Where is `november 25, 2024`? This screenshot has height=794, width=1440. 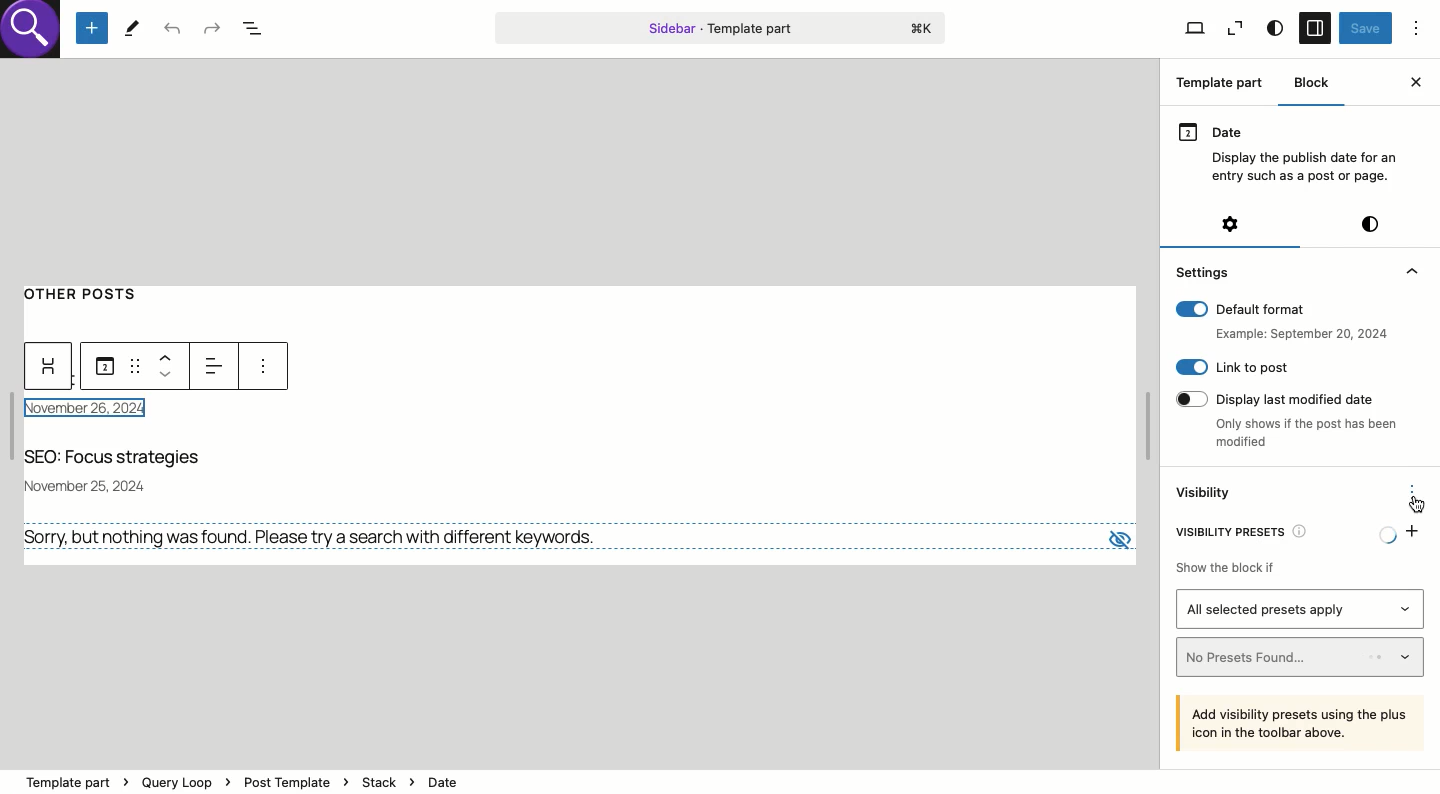 november 25, 2024 is located at coordinates (95, 483).